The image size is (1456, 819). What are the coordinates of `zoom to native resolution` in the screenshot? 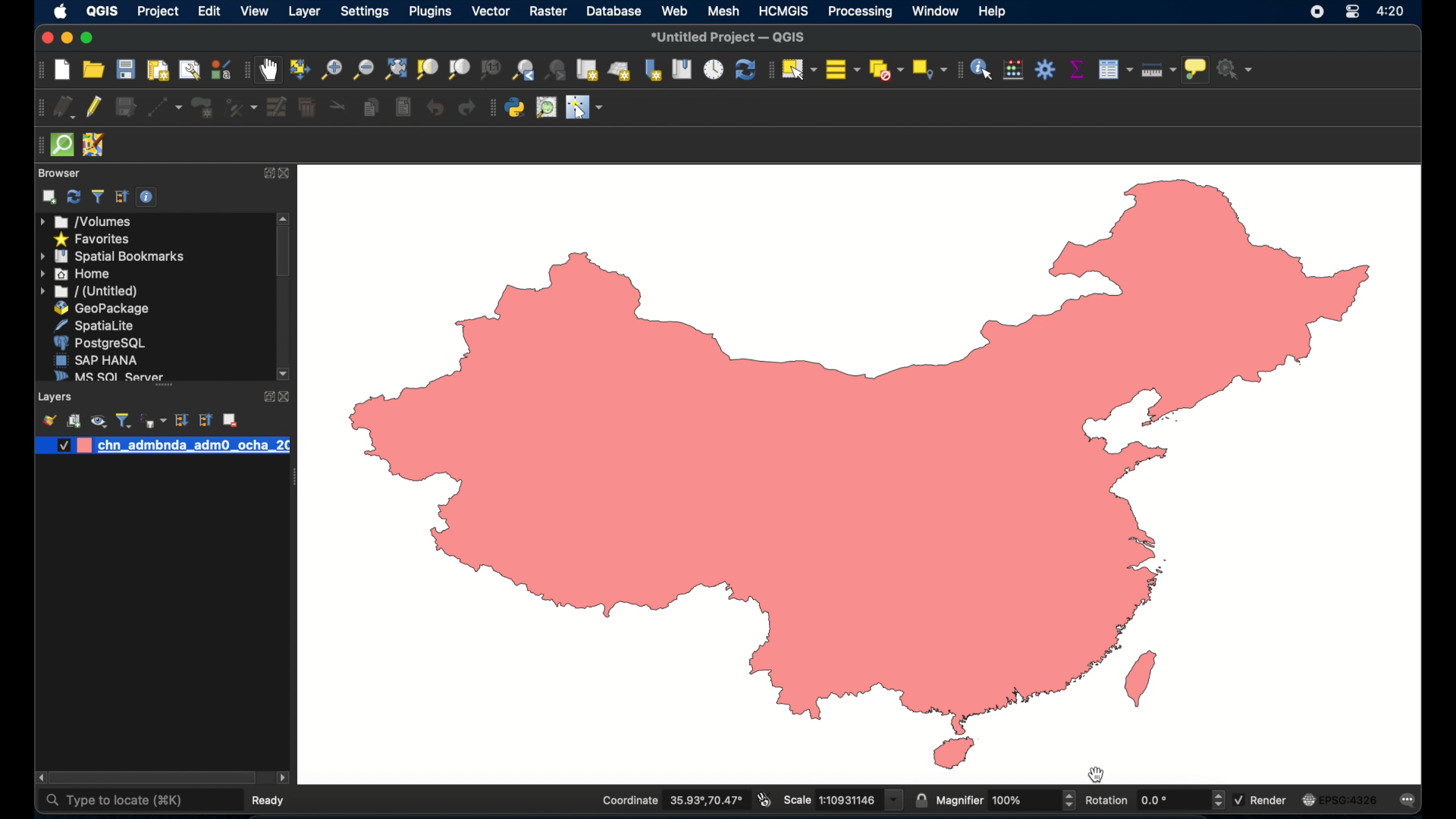 It's located at (492, 71).